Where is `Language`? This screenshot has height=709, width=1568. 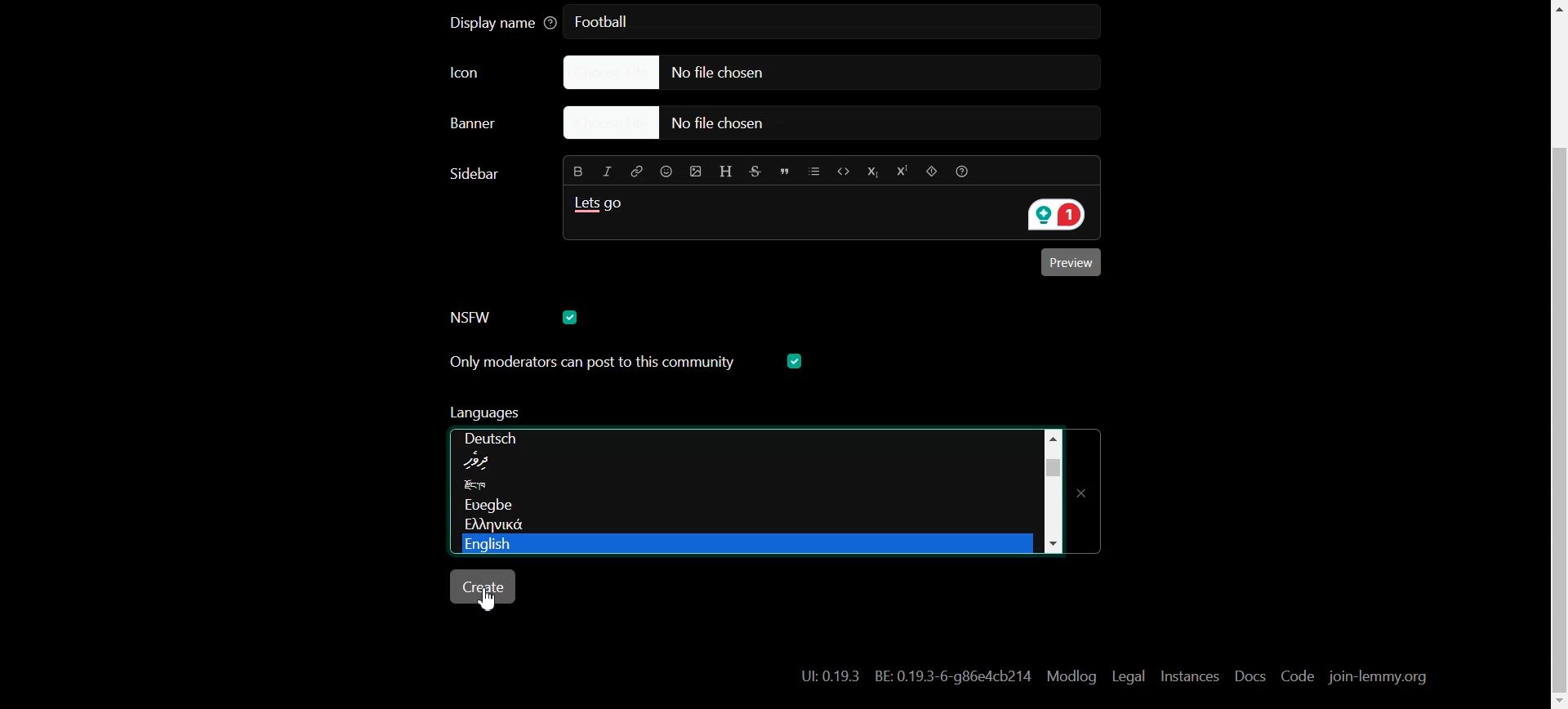 Language is located at coordinates (742, 465).